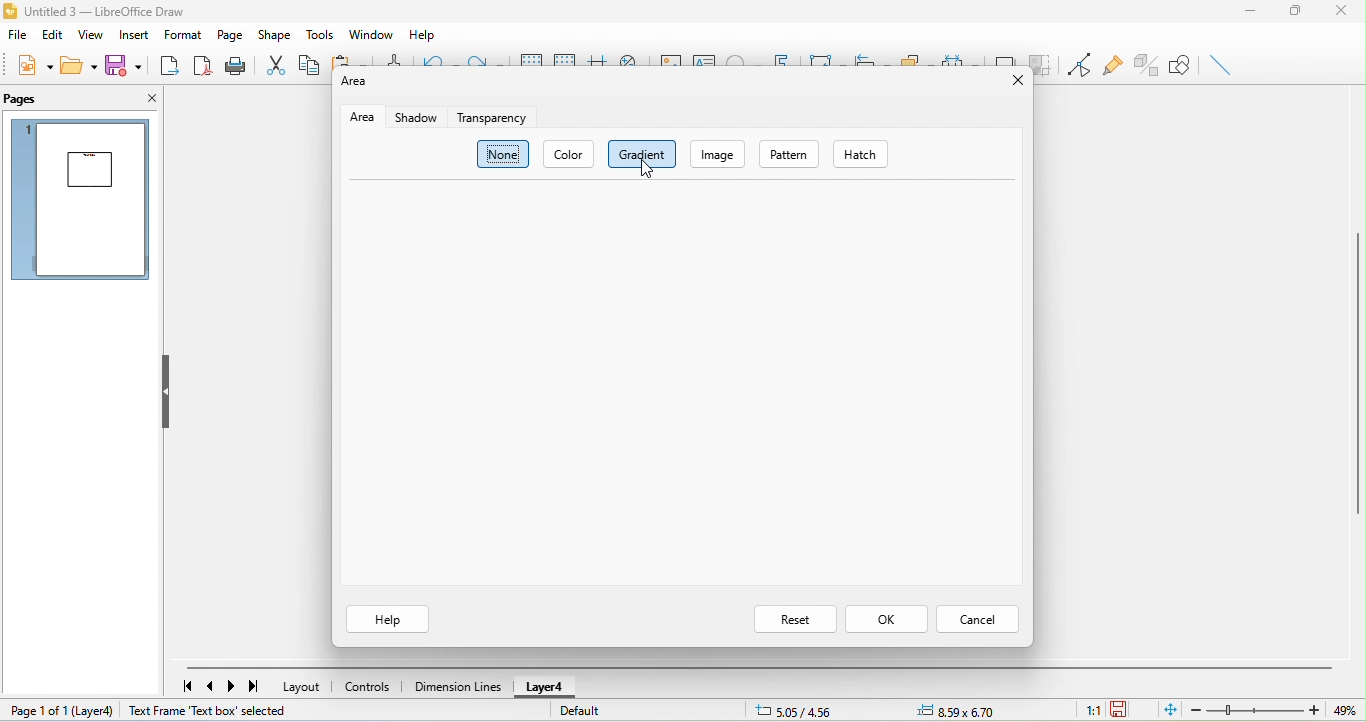 This screenshot has height=722, width=1366. Describe the element at coordinates (1080, 65) in the screenshot. I see `toggle point edit mode` at that location.